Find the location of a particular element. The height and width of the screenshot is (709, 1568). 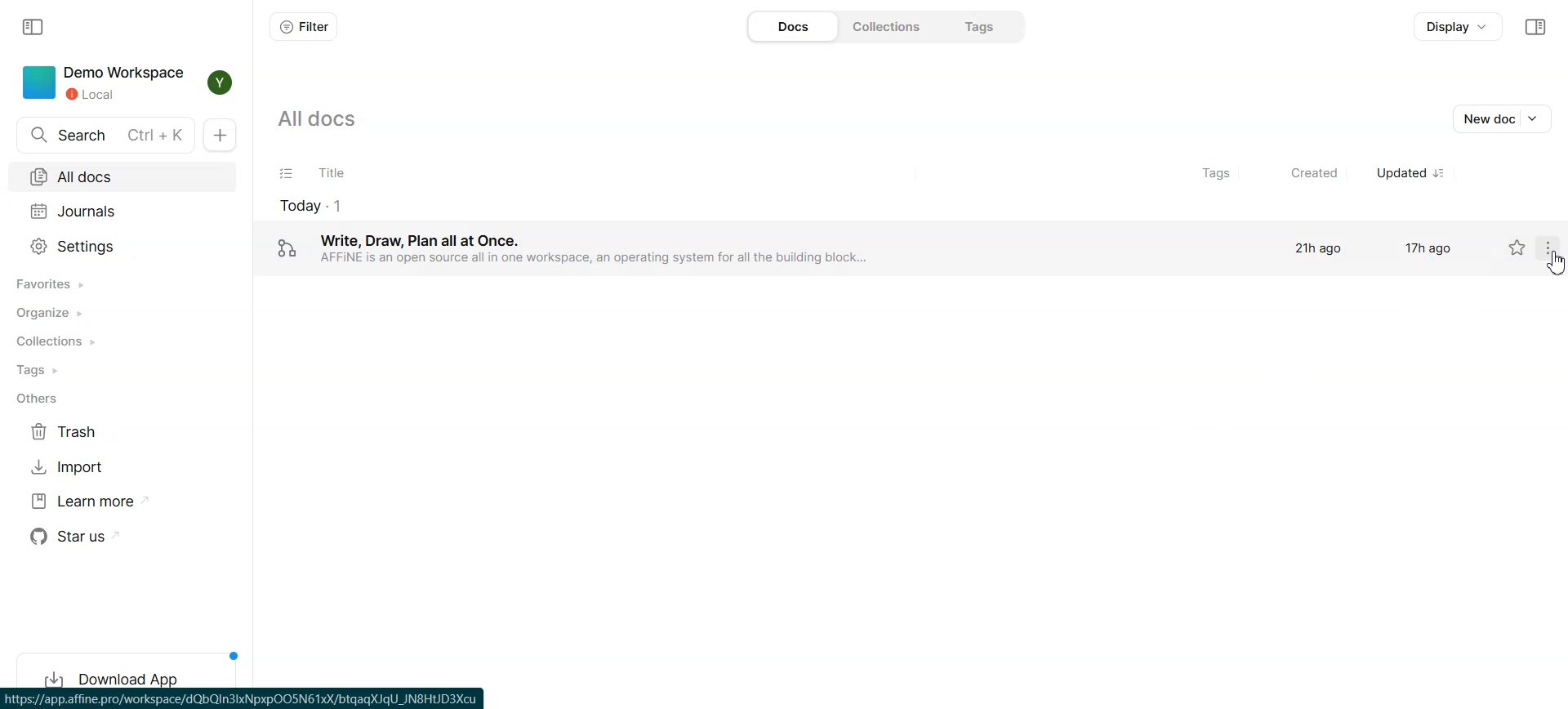

Download App is located at coordinates (128, 667).